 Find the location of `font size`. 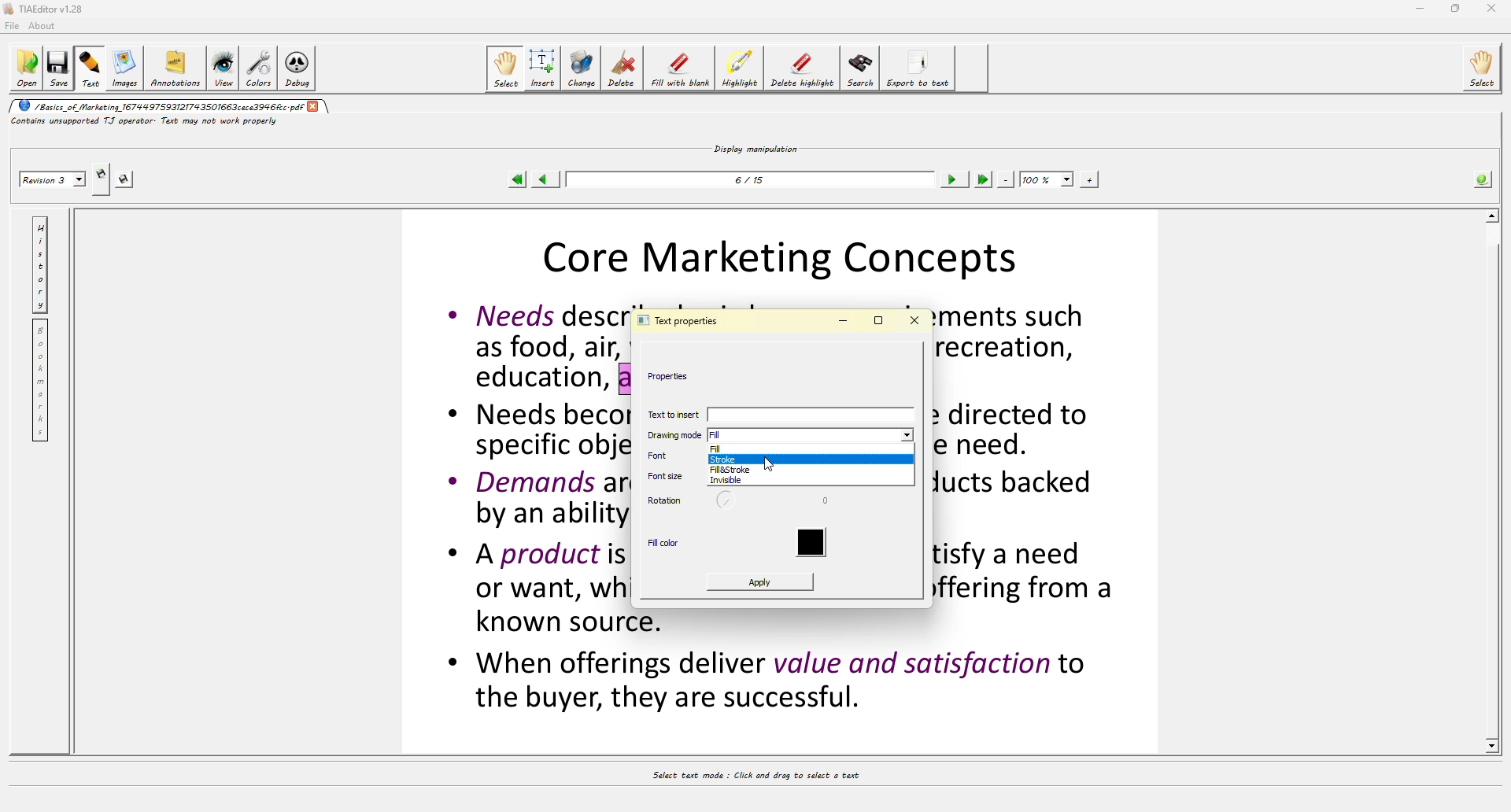

font size is located at coordinates (663, 476).